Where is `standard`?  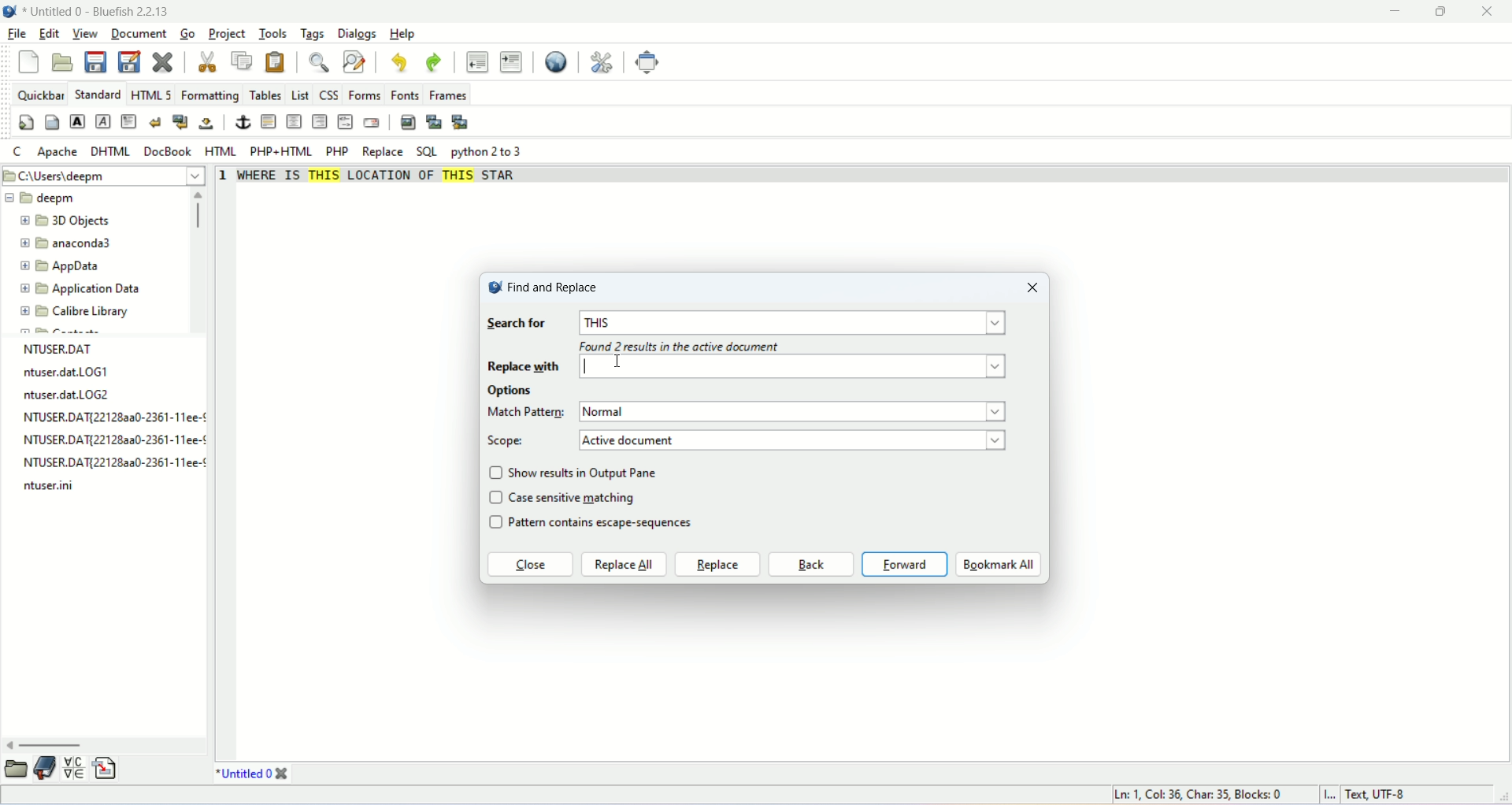 standard is located at coordinates (96, 94).